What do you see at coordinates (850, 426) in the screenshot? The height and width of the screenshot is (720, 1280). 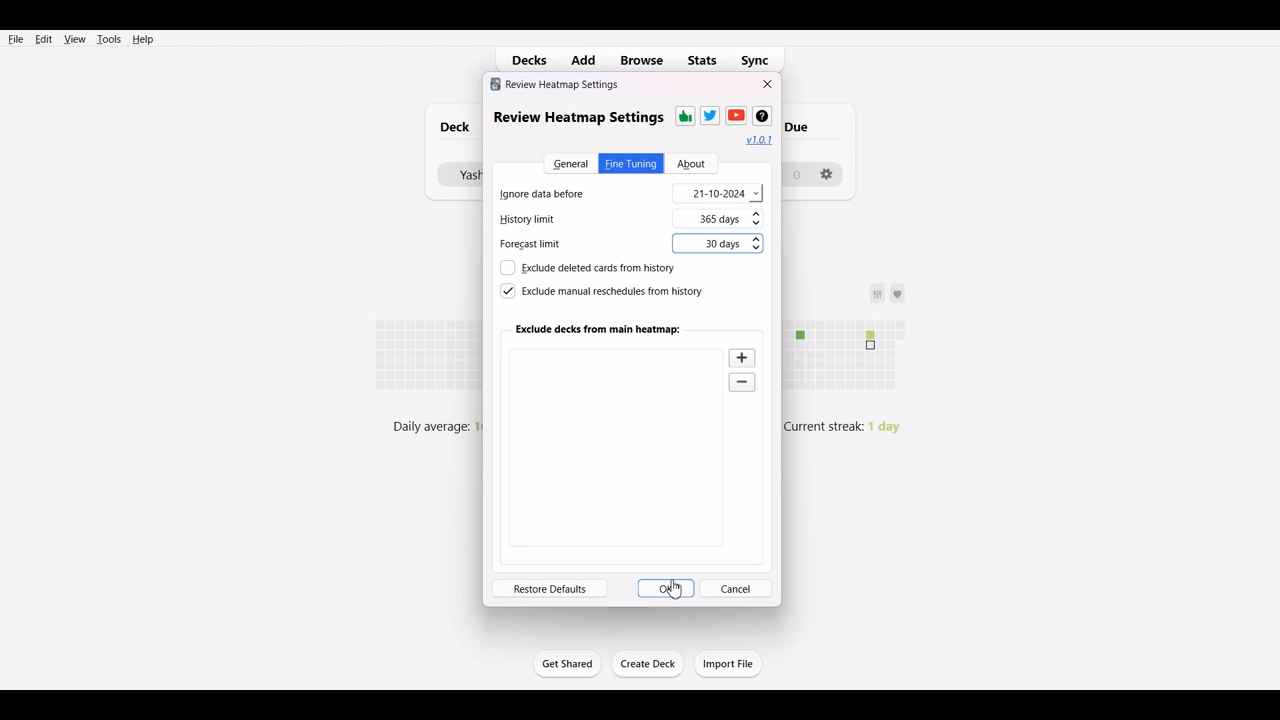 I see `Current streak: 1 day` at bounding box center [850, 426].